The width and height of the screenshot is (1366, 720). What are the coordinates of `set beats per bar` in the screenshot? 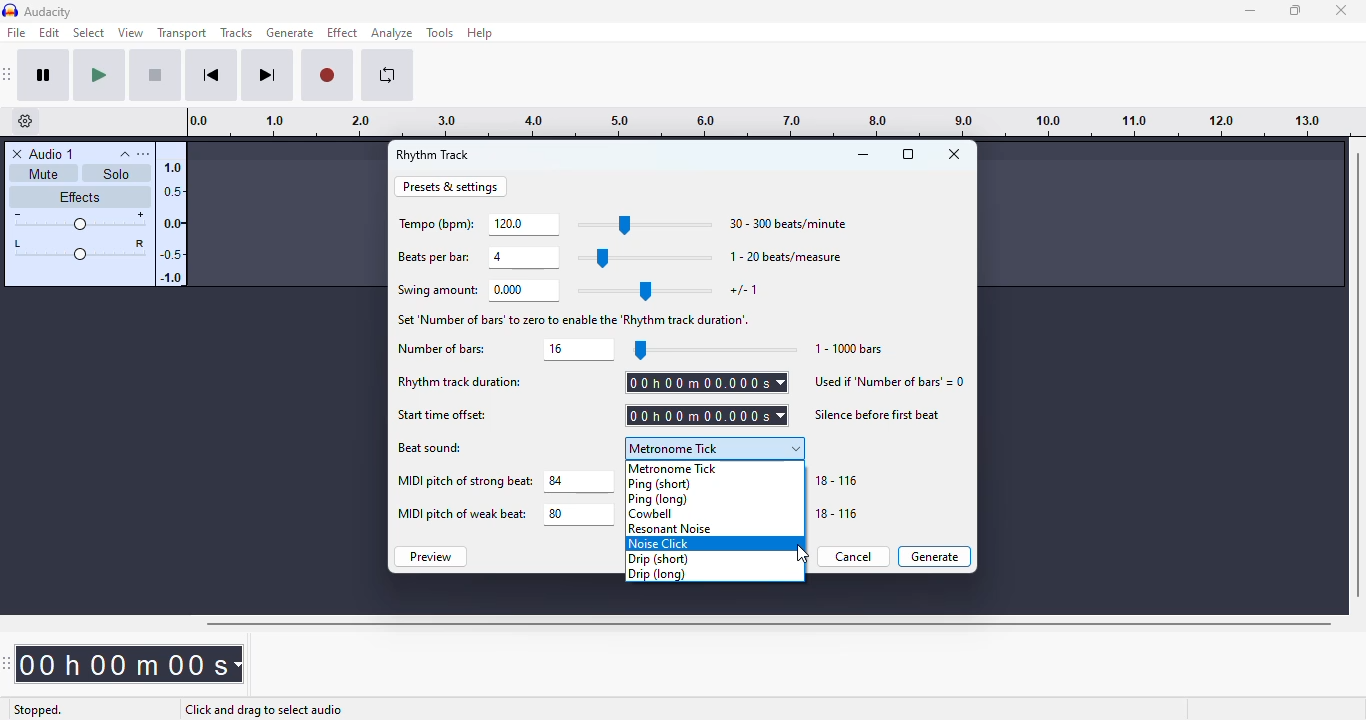 It's located at (523, 258).